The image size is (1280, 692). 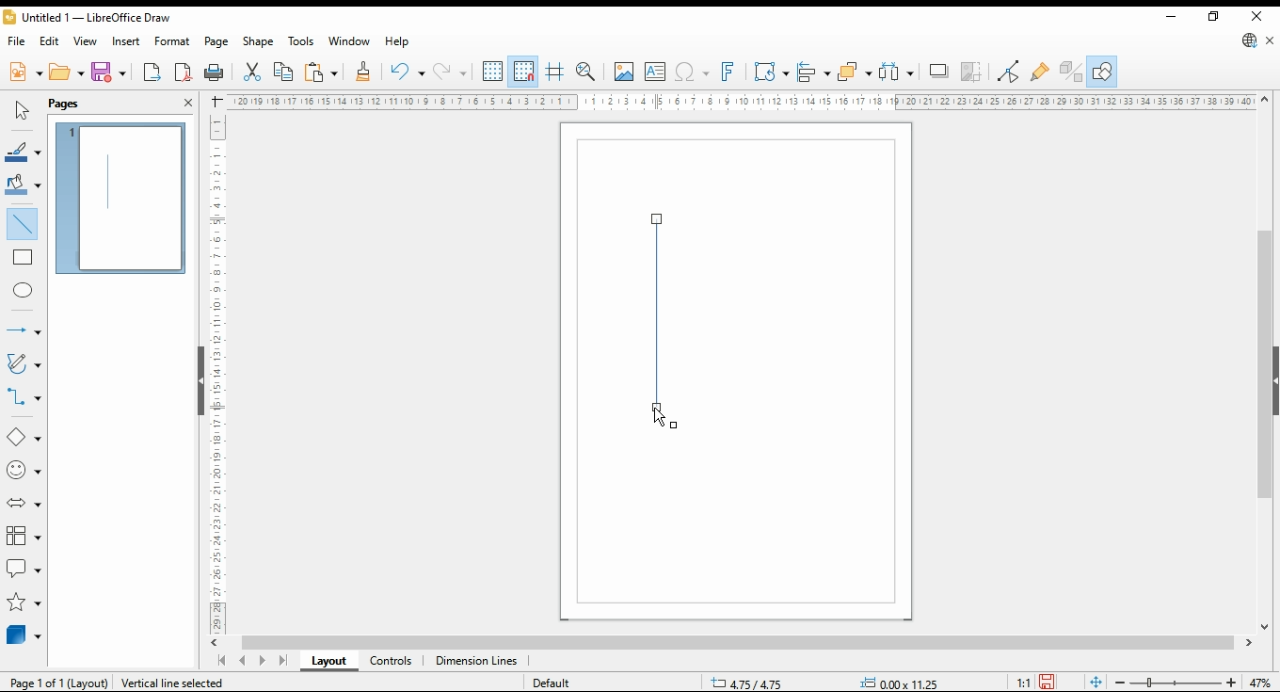 What do you see at coordinates (1250, 42) in the screenshot?
I see `libre office update` at bounding box center [1250, 42].